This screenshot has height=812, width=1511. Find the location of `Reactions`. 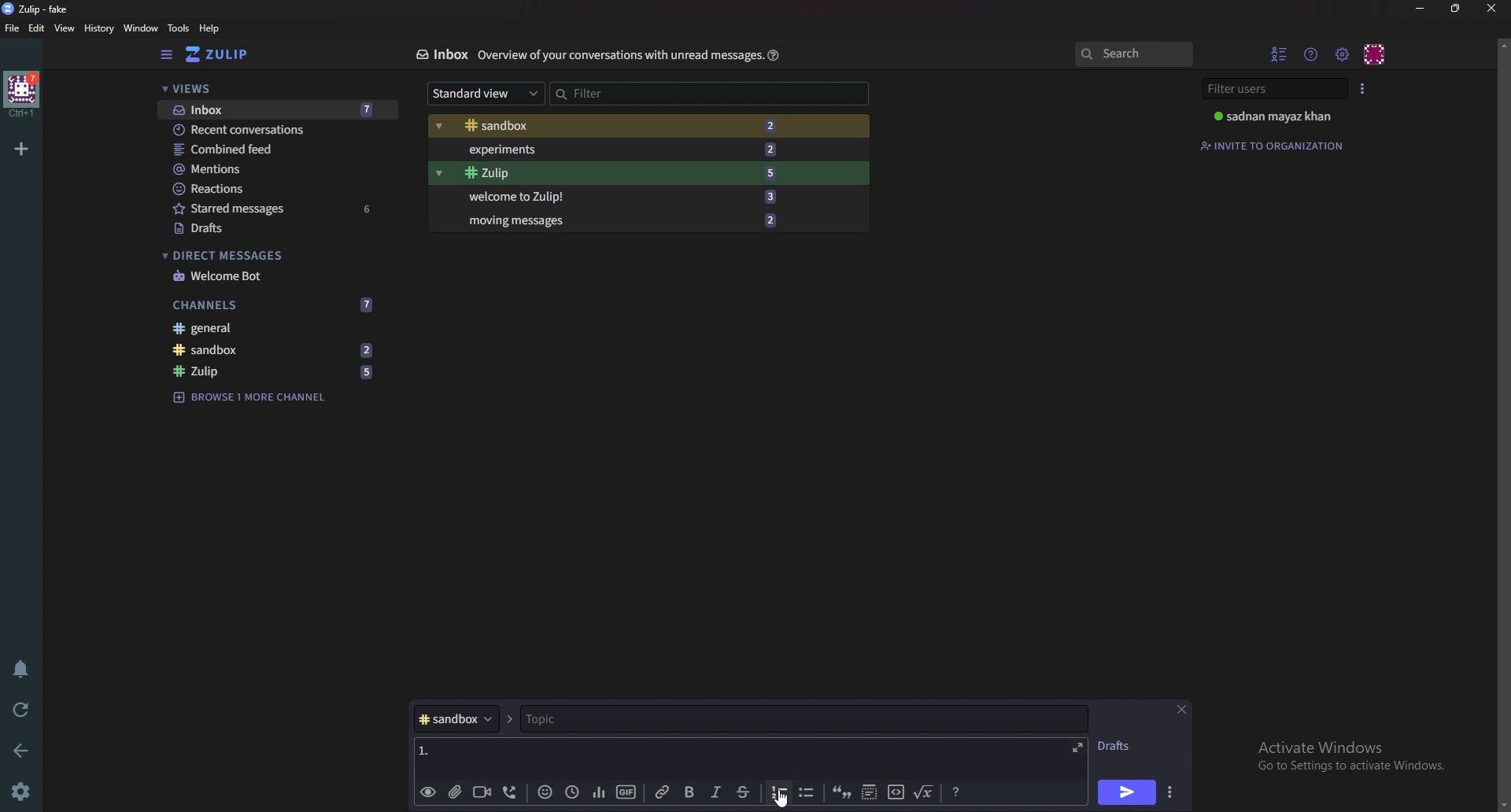

Reactions is located at coordinates (273, 187).